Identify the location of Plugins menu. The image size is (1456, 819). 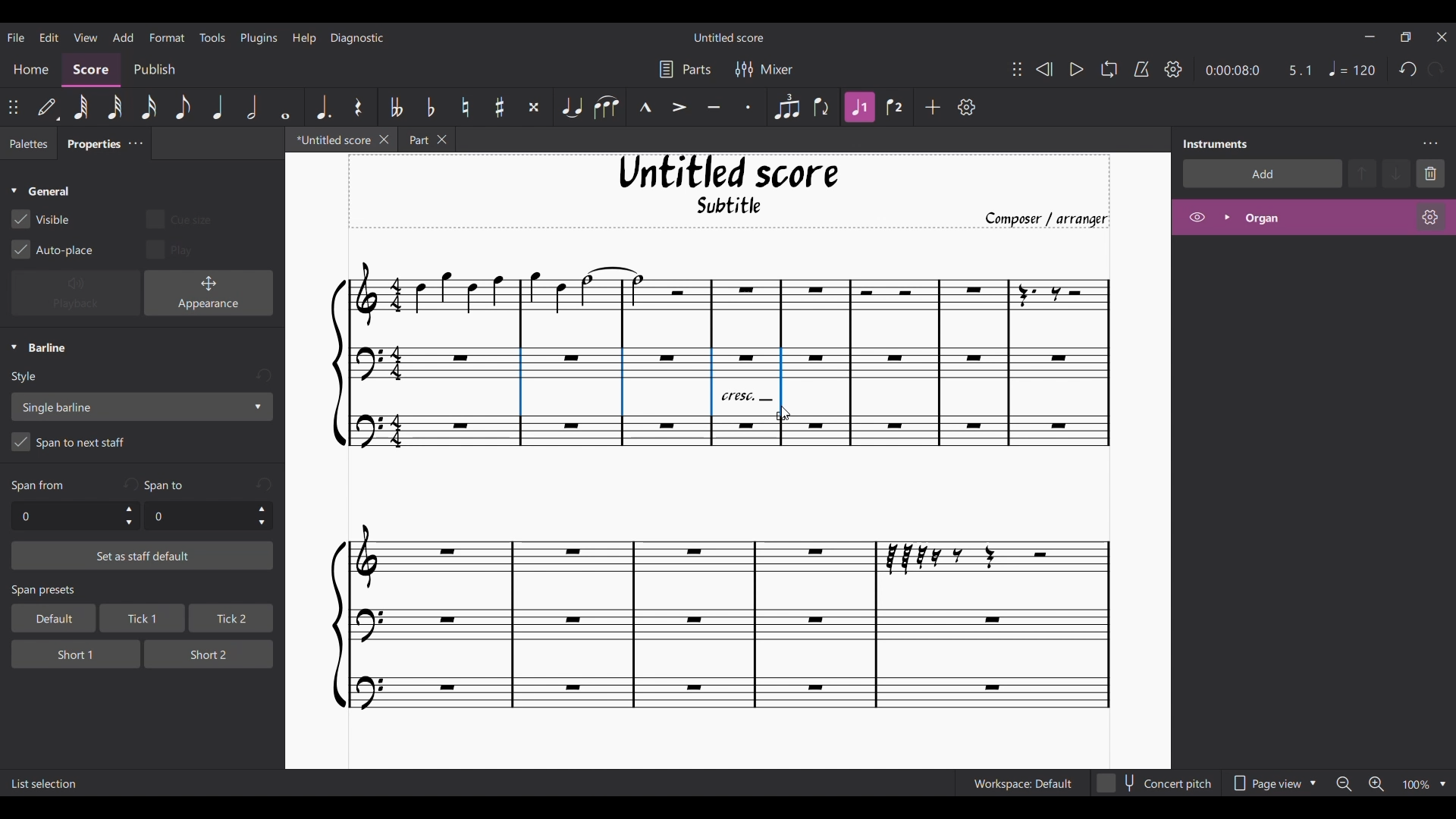
(259, 37).